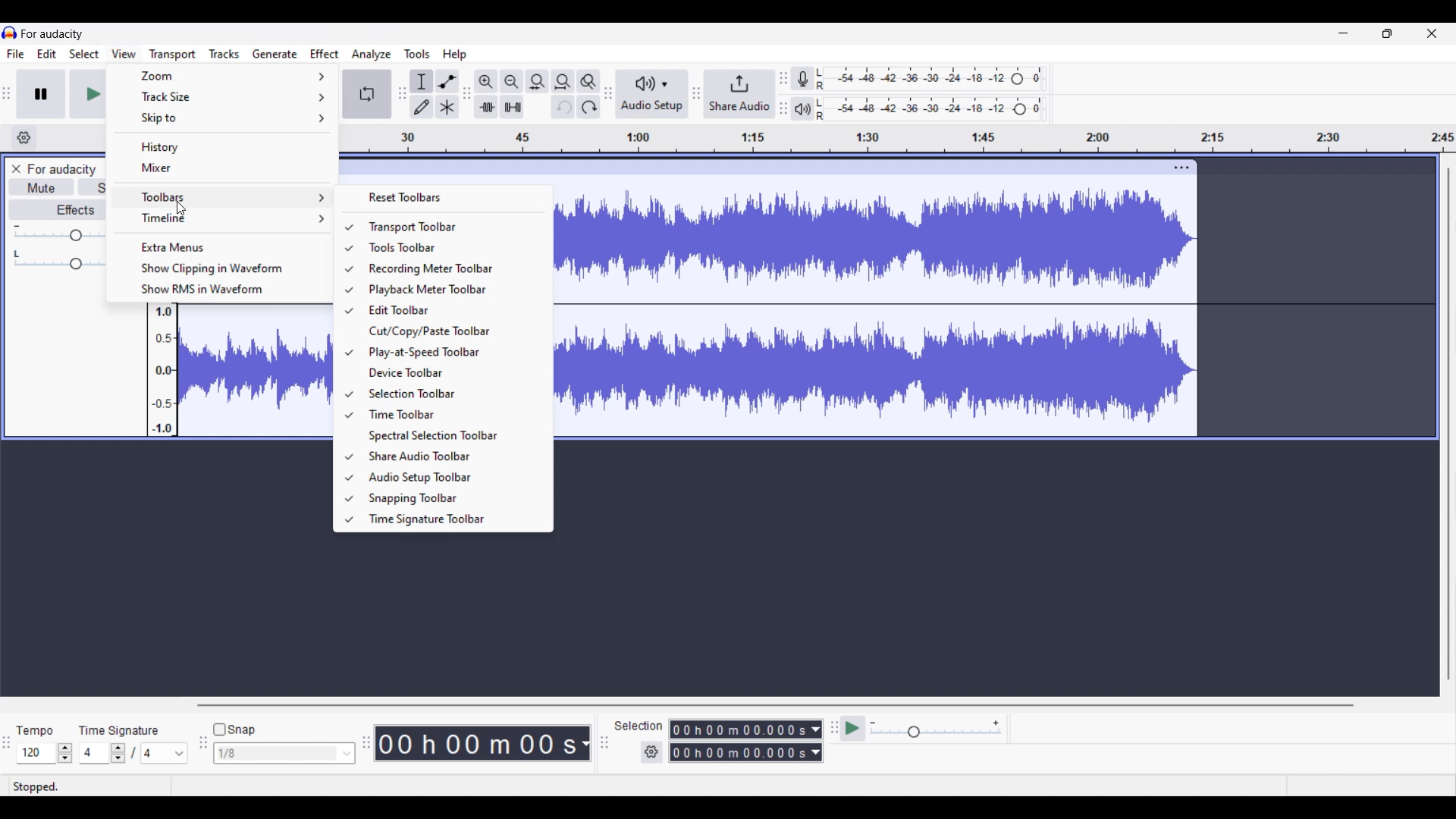 This screenshot has height=819, width=1456. Describe the element at coordinates (588, 82) in the screenshot. I see `Zoom toggle` at that location.